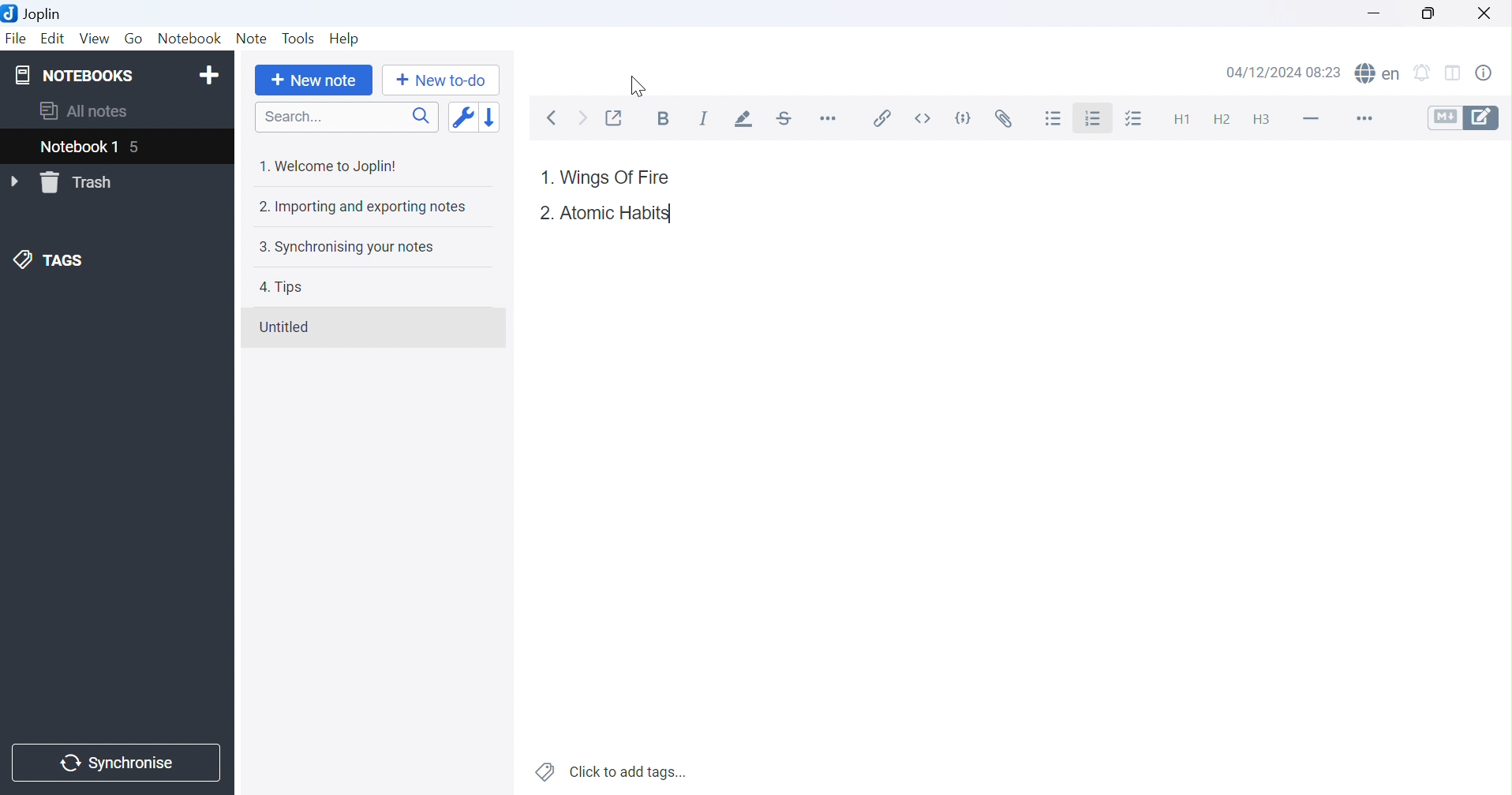 This screenshot has width=1512, height=795. I want to click on Checkbox list, so click(1137, 121).